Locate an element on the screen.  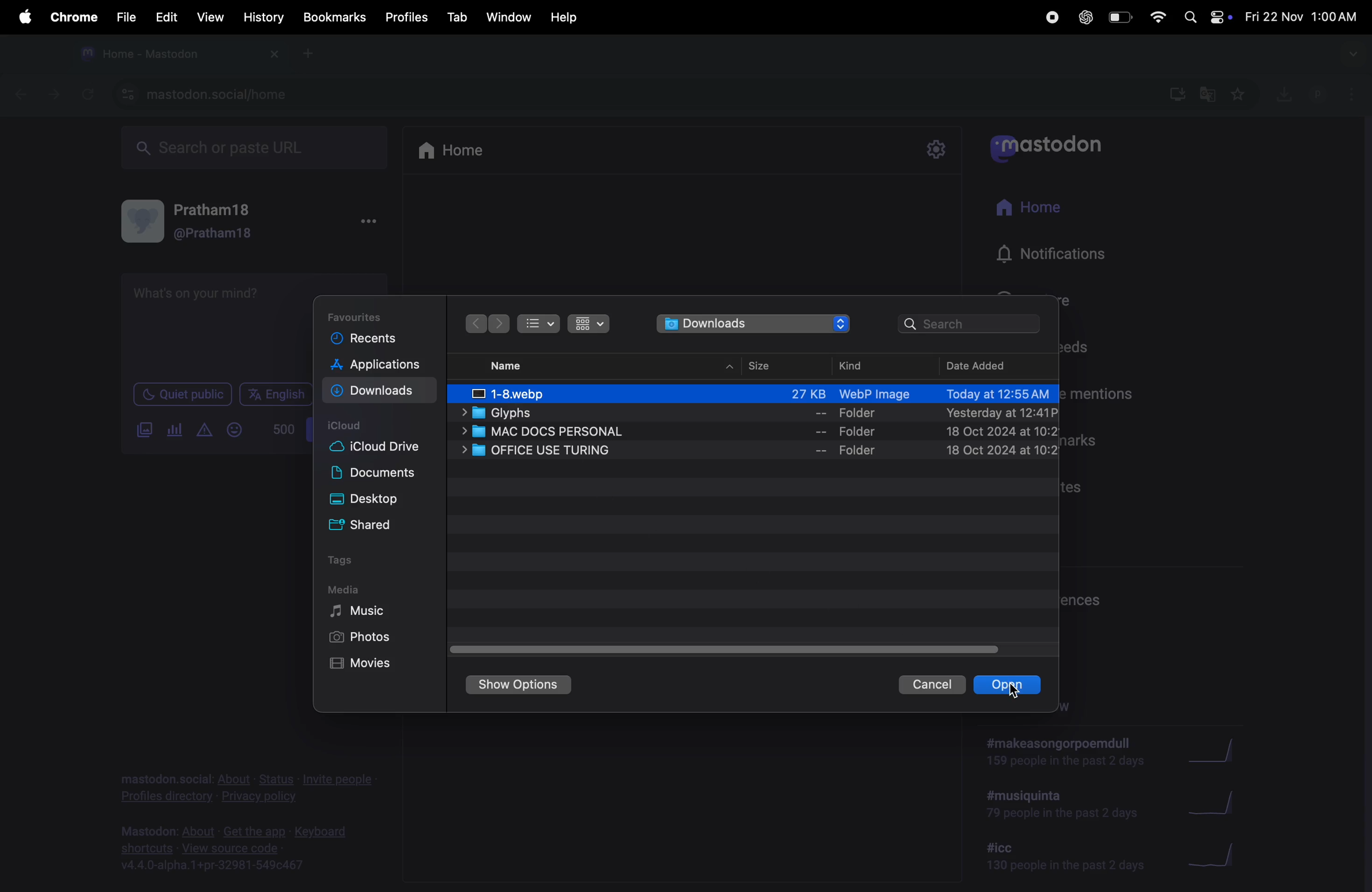
show options is located at coordinates (522, 685).